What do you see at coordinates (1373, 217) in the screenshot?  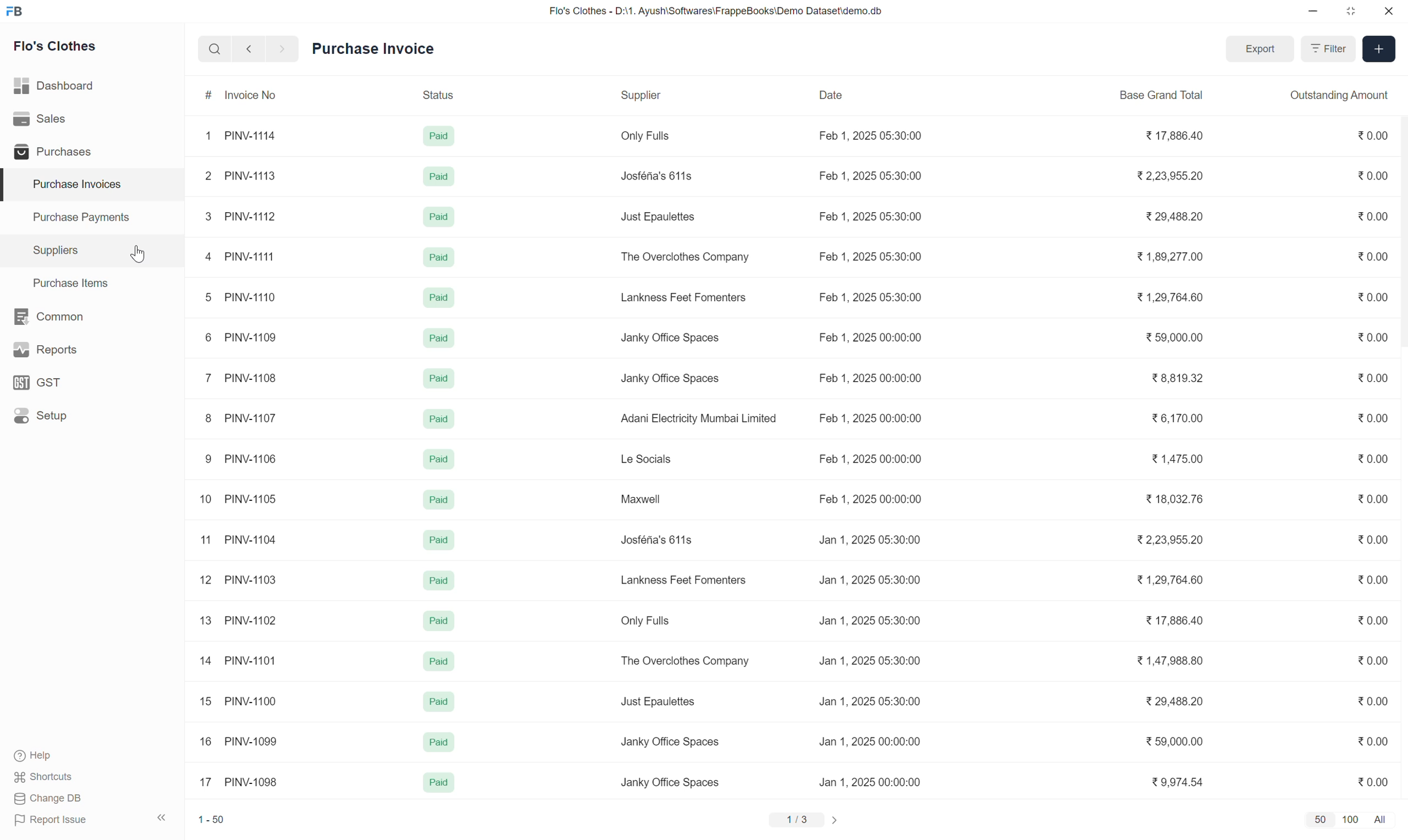 I see `0.00` at bounding box center [1373, 217].